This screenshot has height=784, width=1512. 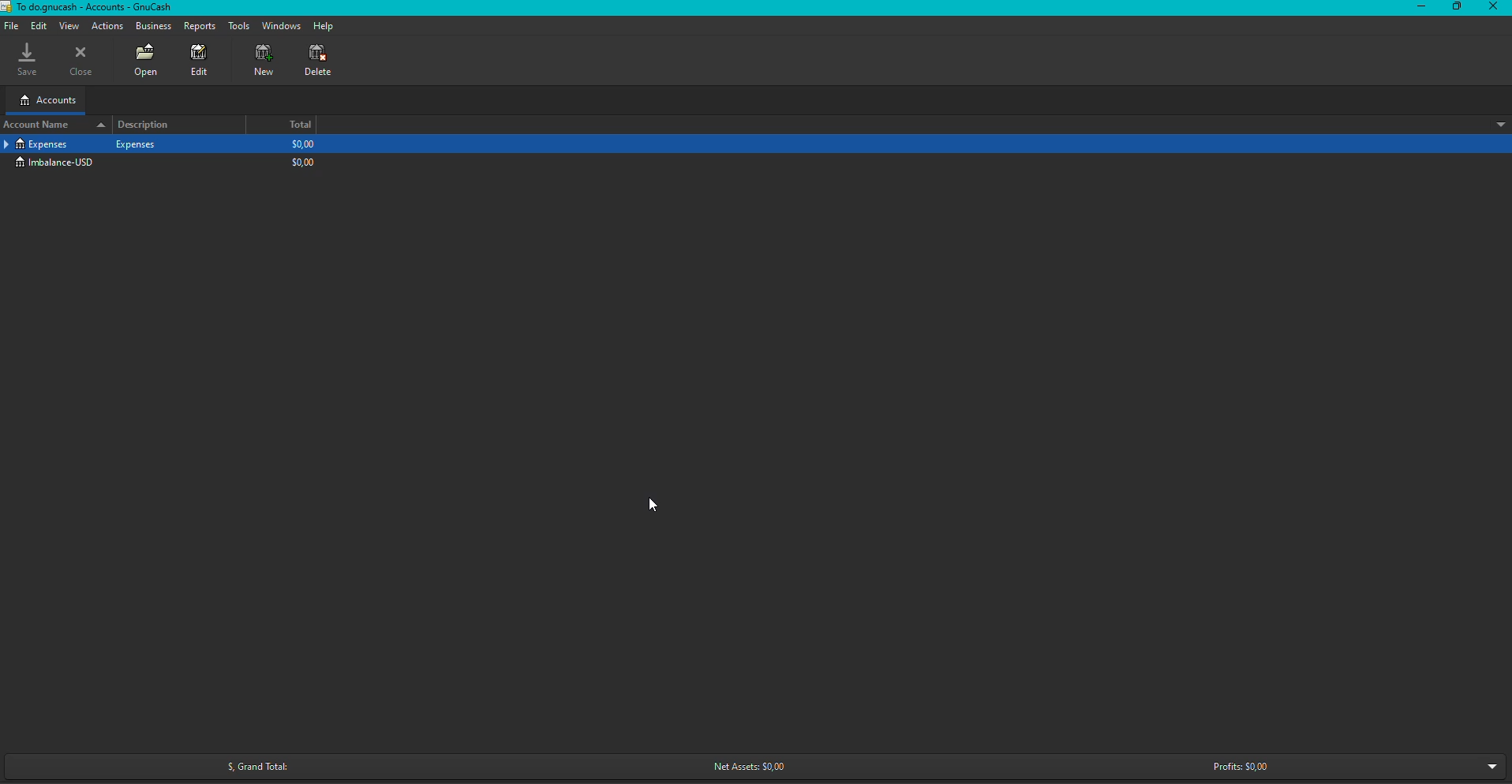 What do you see at coordinates (37, 144) in the screenshot?
I see `Expenses` at bounding box center [37, 144].